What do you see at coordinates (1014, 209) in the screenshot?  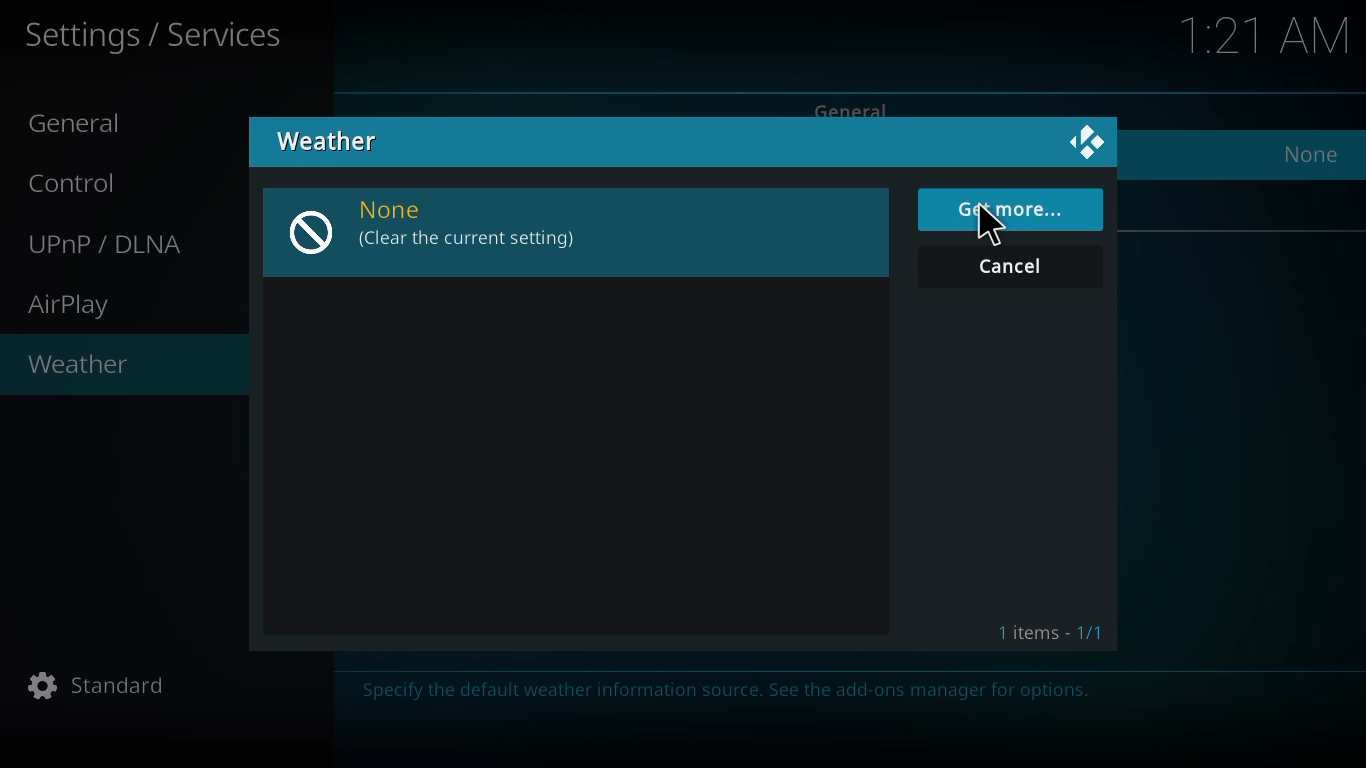 I see `get more` at bounding box center [1014, 209].